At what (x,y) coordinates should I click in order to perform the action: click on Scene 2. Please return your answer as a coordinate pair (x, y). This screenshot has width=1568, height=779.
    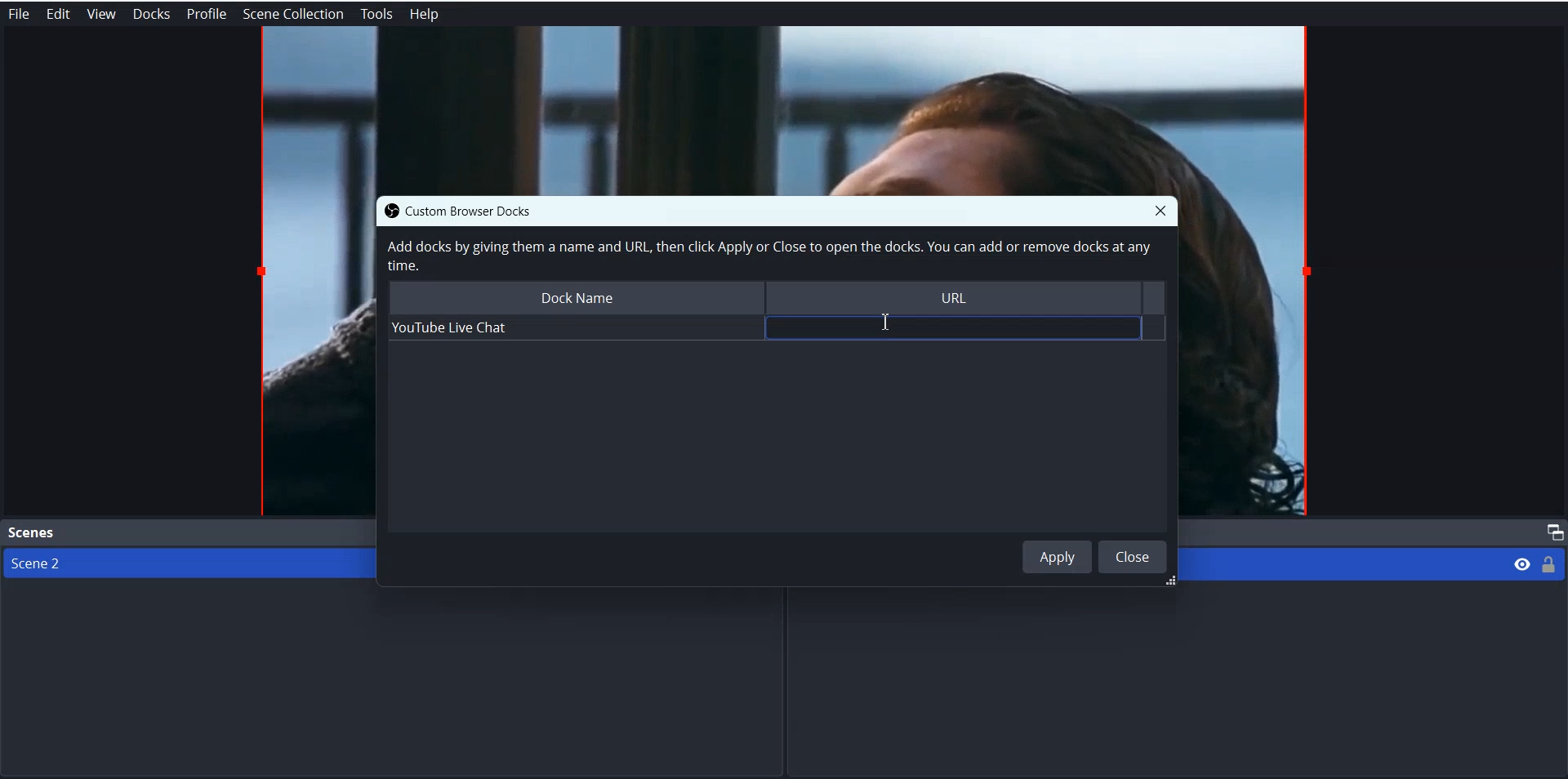
    Looking at the image, I should click on (180, 563).